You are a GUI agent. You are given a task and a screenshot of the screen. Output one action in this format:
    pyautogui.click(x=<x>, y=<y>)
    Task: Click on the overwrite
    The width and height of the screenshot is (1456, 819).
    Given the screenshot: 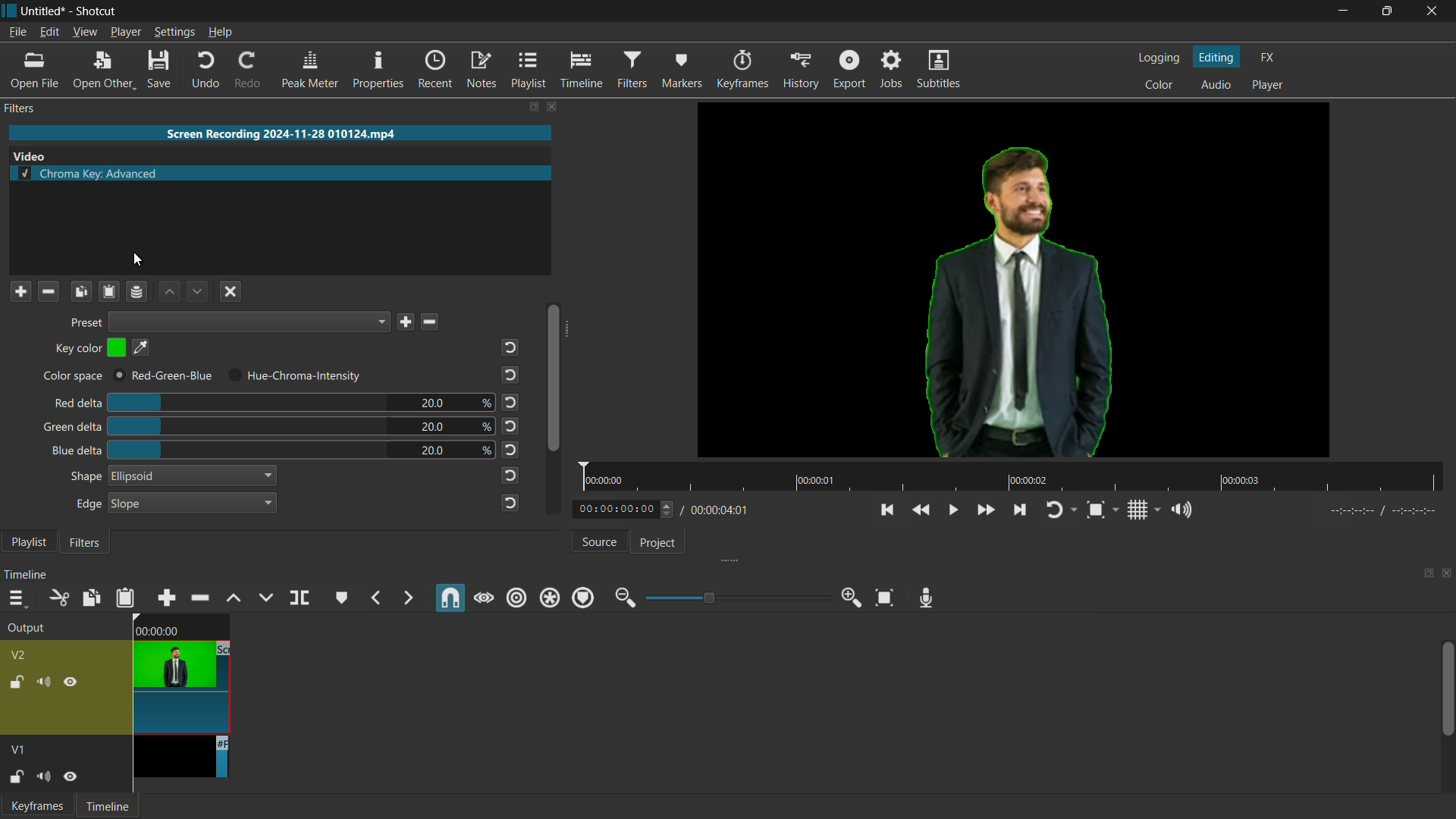 What is the action you would take?
    pyautogui.click(x=265, y=598)
    